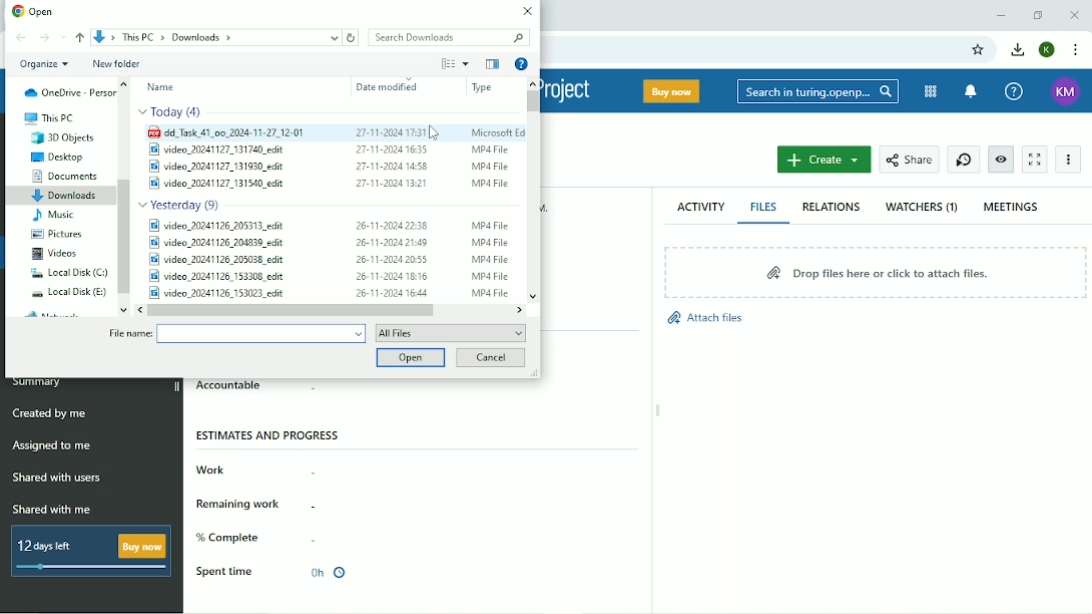 This screenshot has height=614, width=1092. What do you see at coordinates (973, 91) in the screenshot?
I see `To notification center` at bounding box center [973, 91].